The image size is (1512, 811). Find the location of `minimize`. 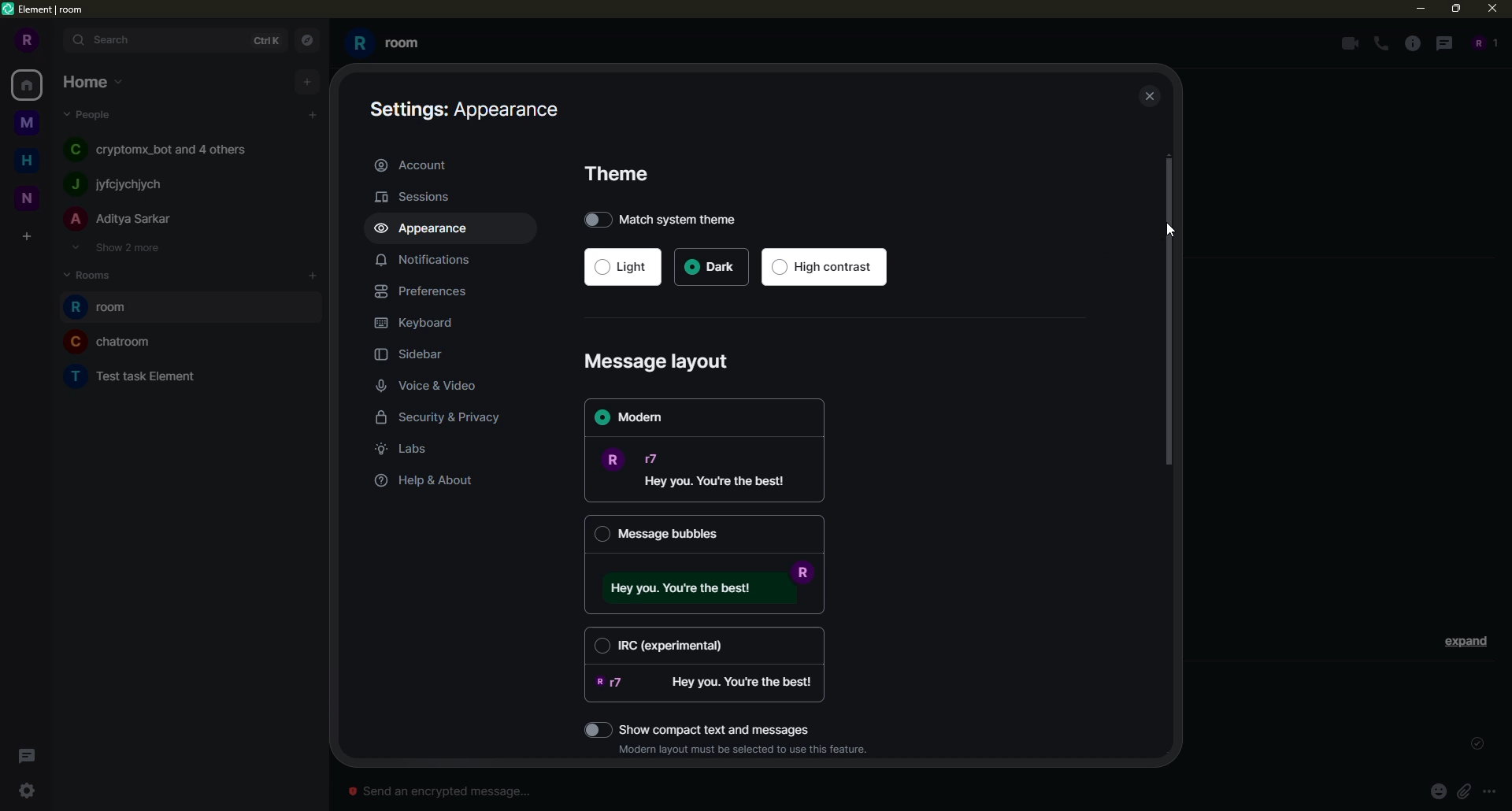

minimize is located at coordinates (1415, 8).